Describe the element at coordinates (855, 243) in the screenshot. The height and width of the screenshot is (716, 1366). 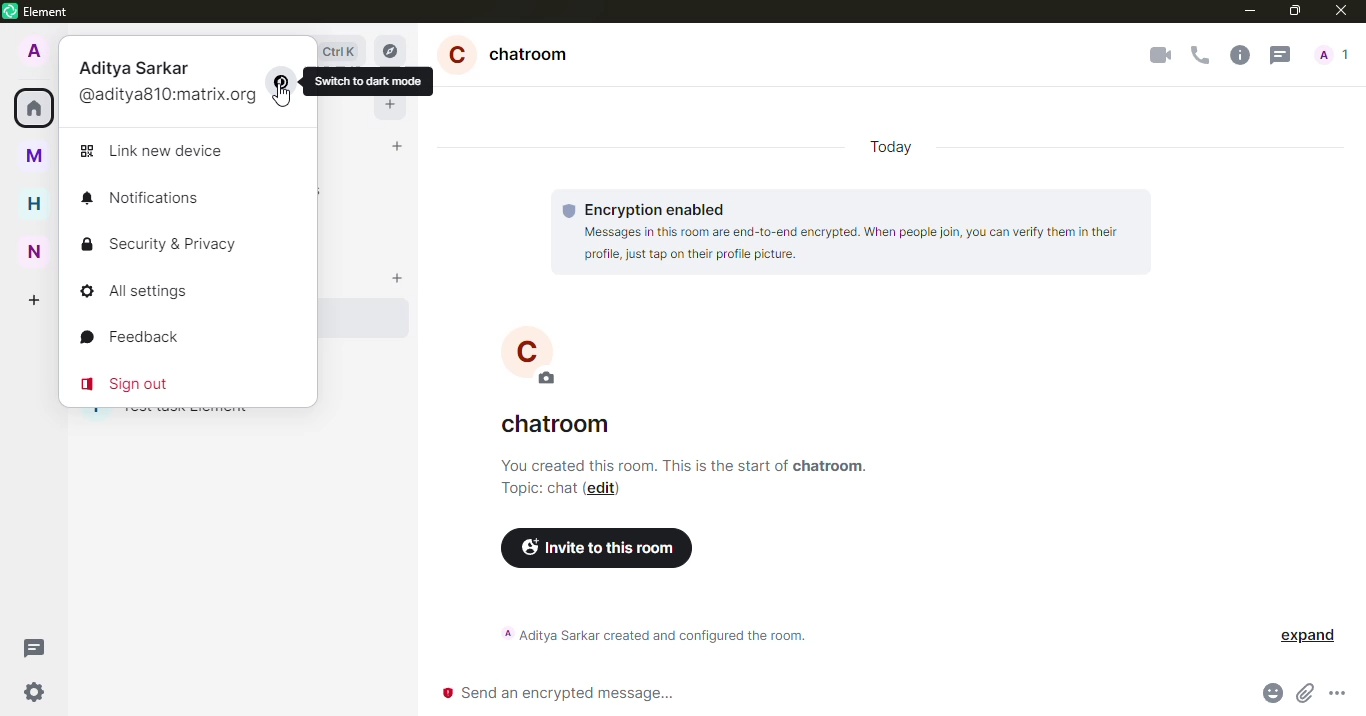
I see `Messages in this room are end-to-end encrypted. When people join, you can verify them in their profile, just tap on their profile picture.` at that location.